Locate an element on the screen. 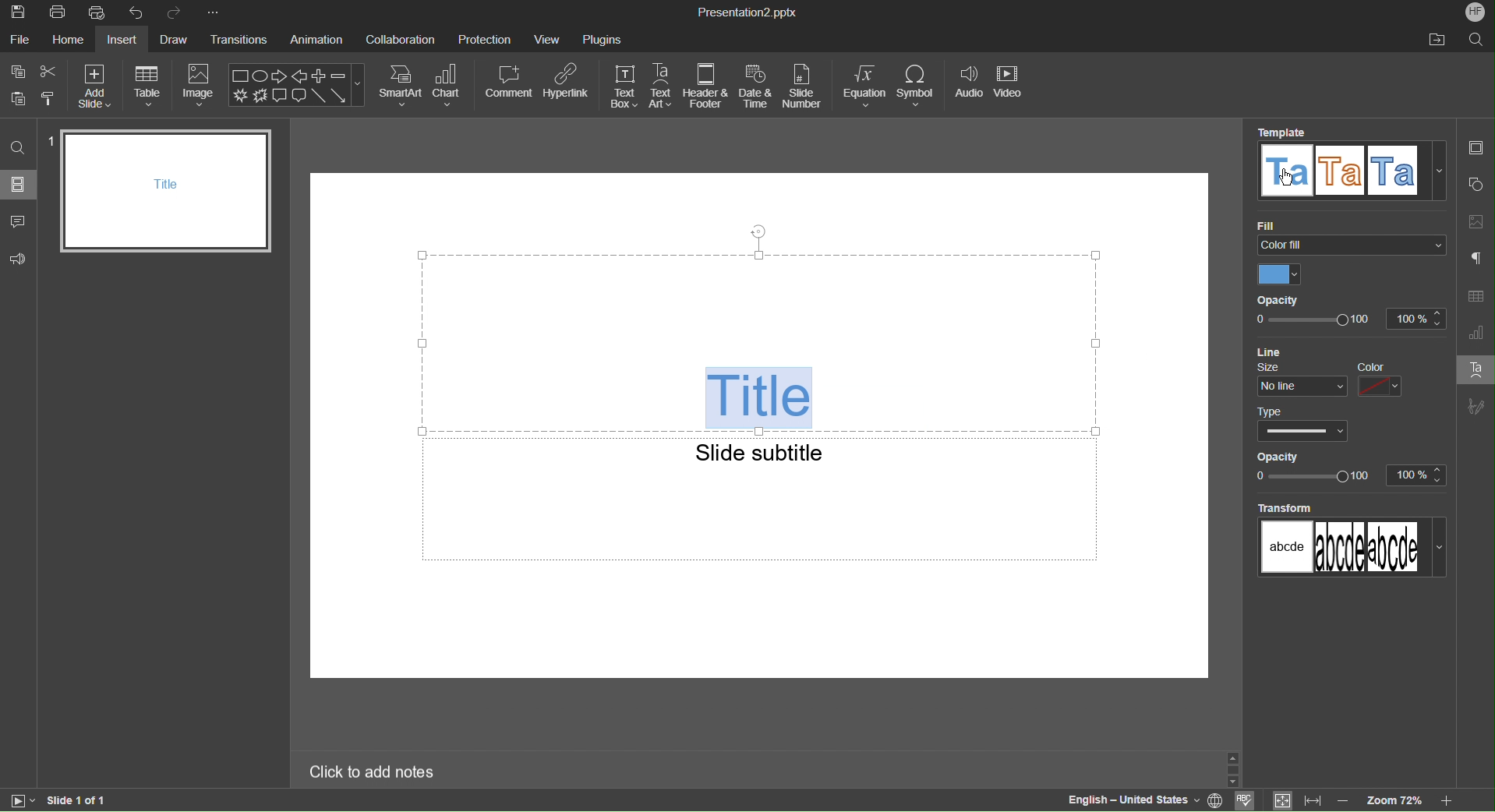 This screenshot has height=812, width=1495. More is located at coordinates (212, 12).